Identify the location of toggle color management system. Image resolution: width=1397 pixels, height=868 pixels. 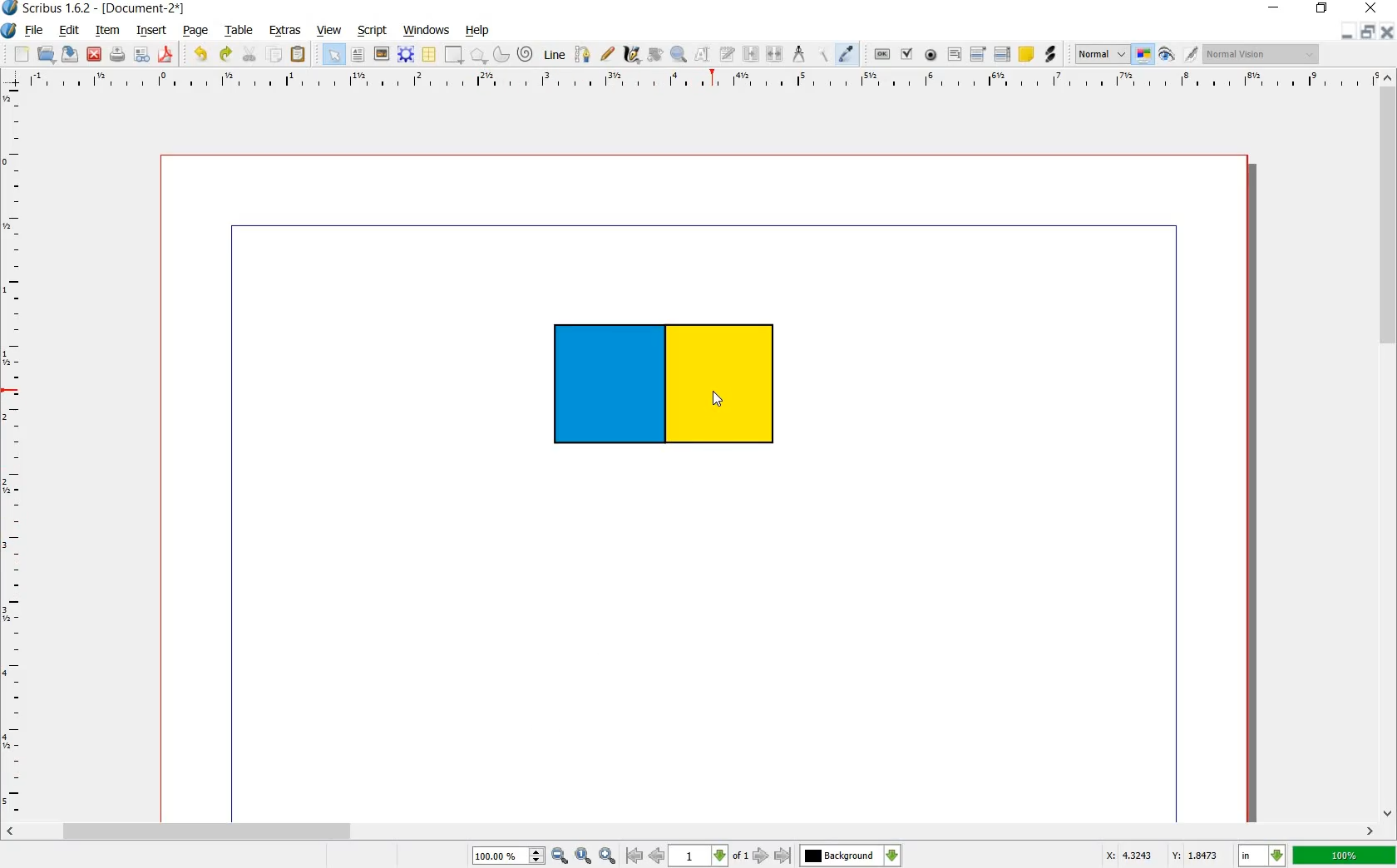
(1143, 54).